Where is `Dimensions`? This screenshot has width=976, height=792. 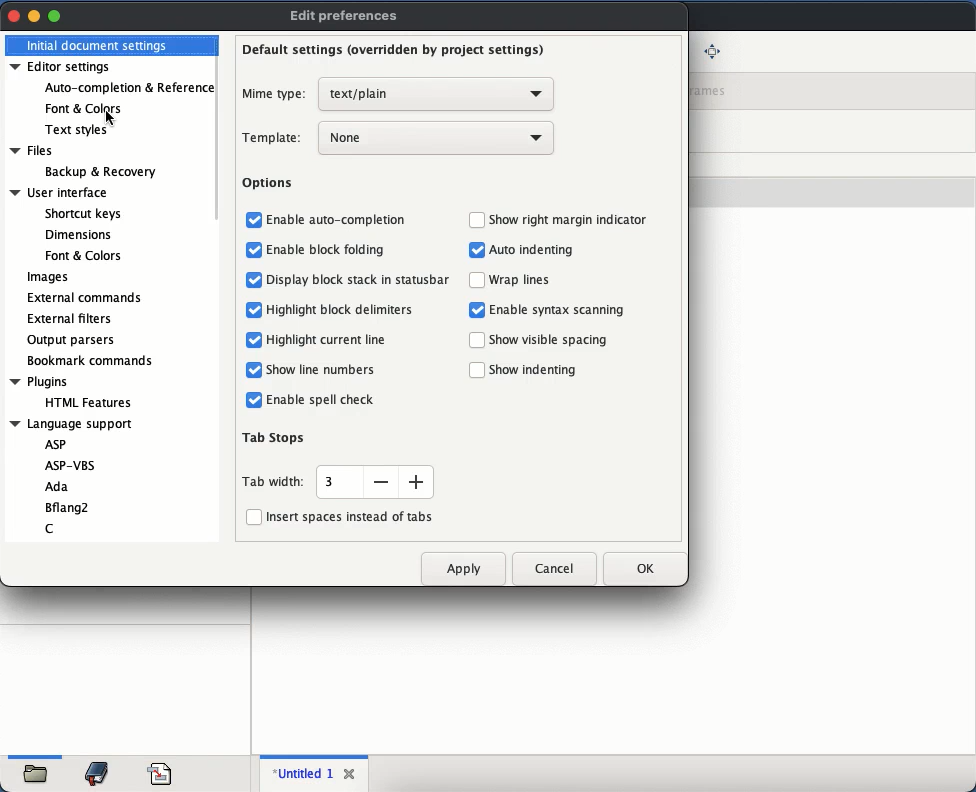
Dimensions is located at coordinates (79, 235).